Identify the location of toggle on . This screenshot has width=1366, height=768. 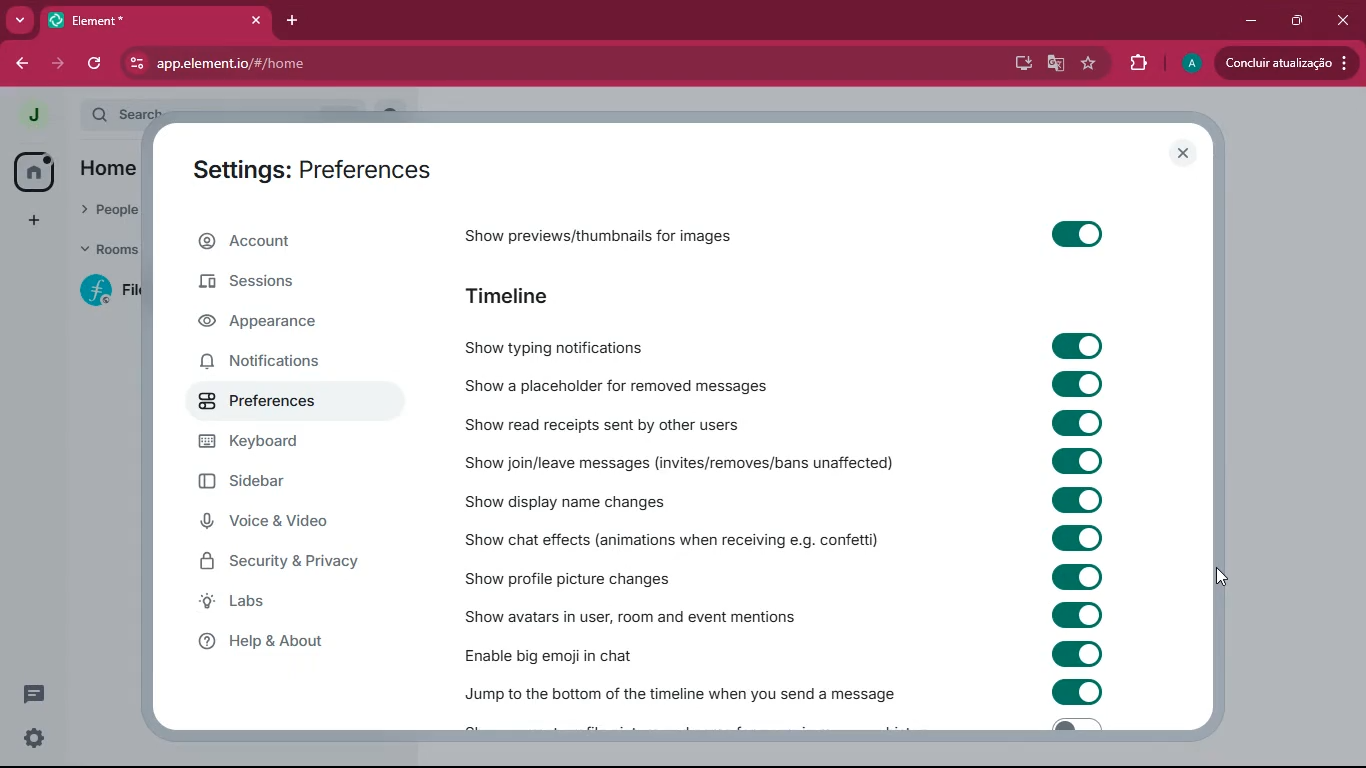
(1076, 654).